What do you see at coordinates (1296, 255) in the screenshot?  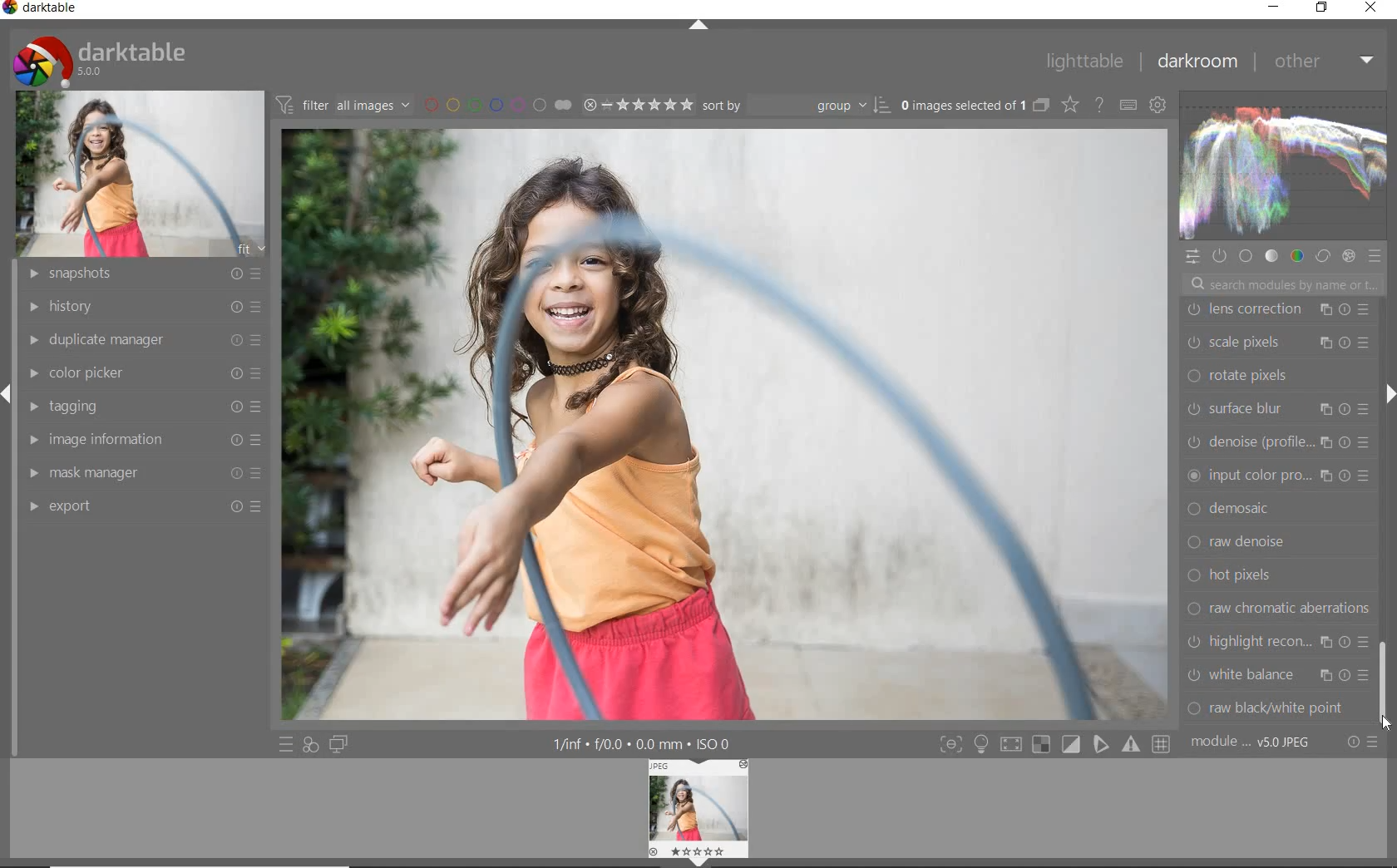 I see `color` at bounding box center [1296, 255].